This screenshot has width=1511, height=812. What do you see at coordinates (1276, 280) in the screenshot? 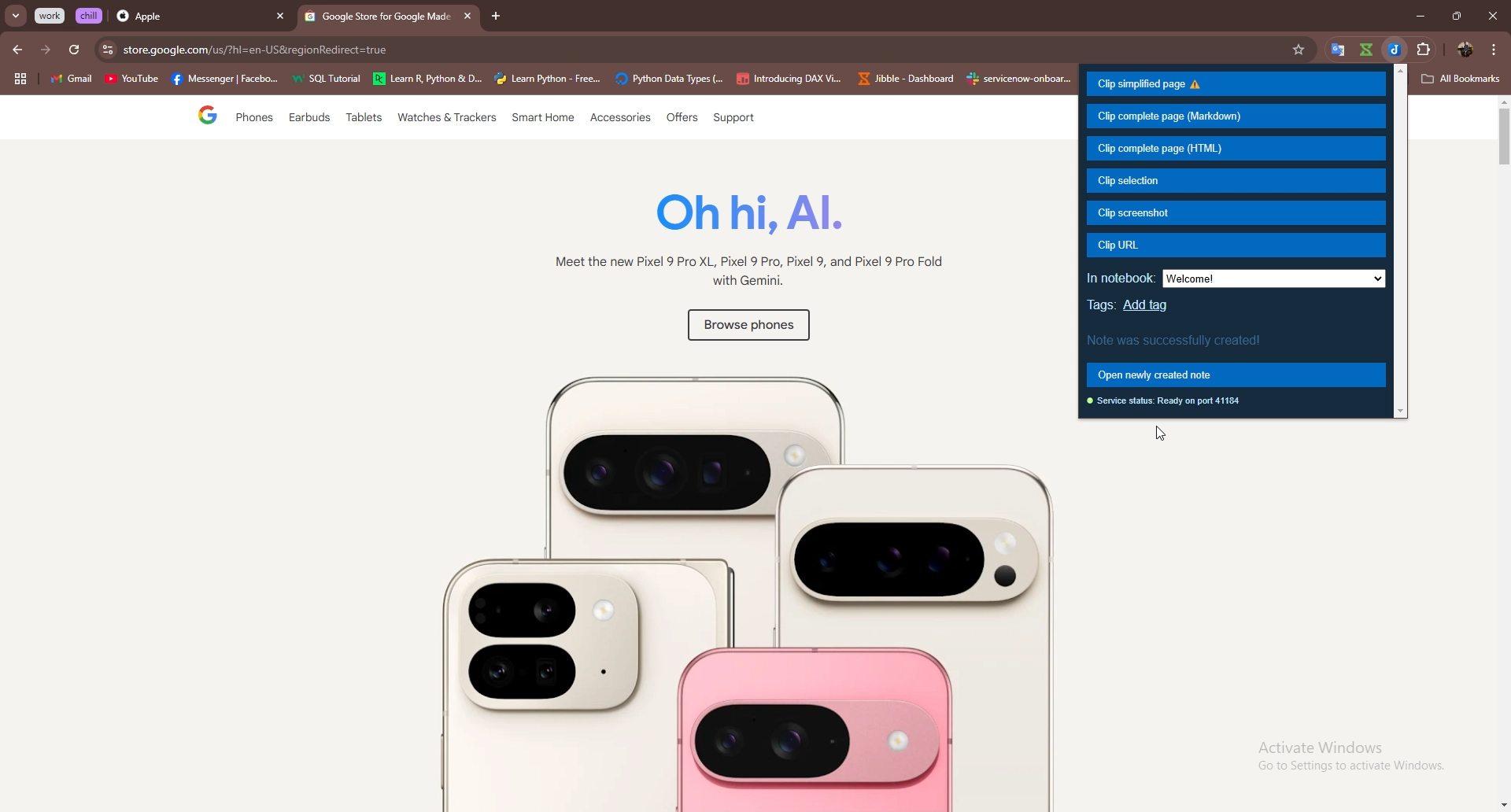
I see `welcome` at bounding box center [1276, 280].